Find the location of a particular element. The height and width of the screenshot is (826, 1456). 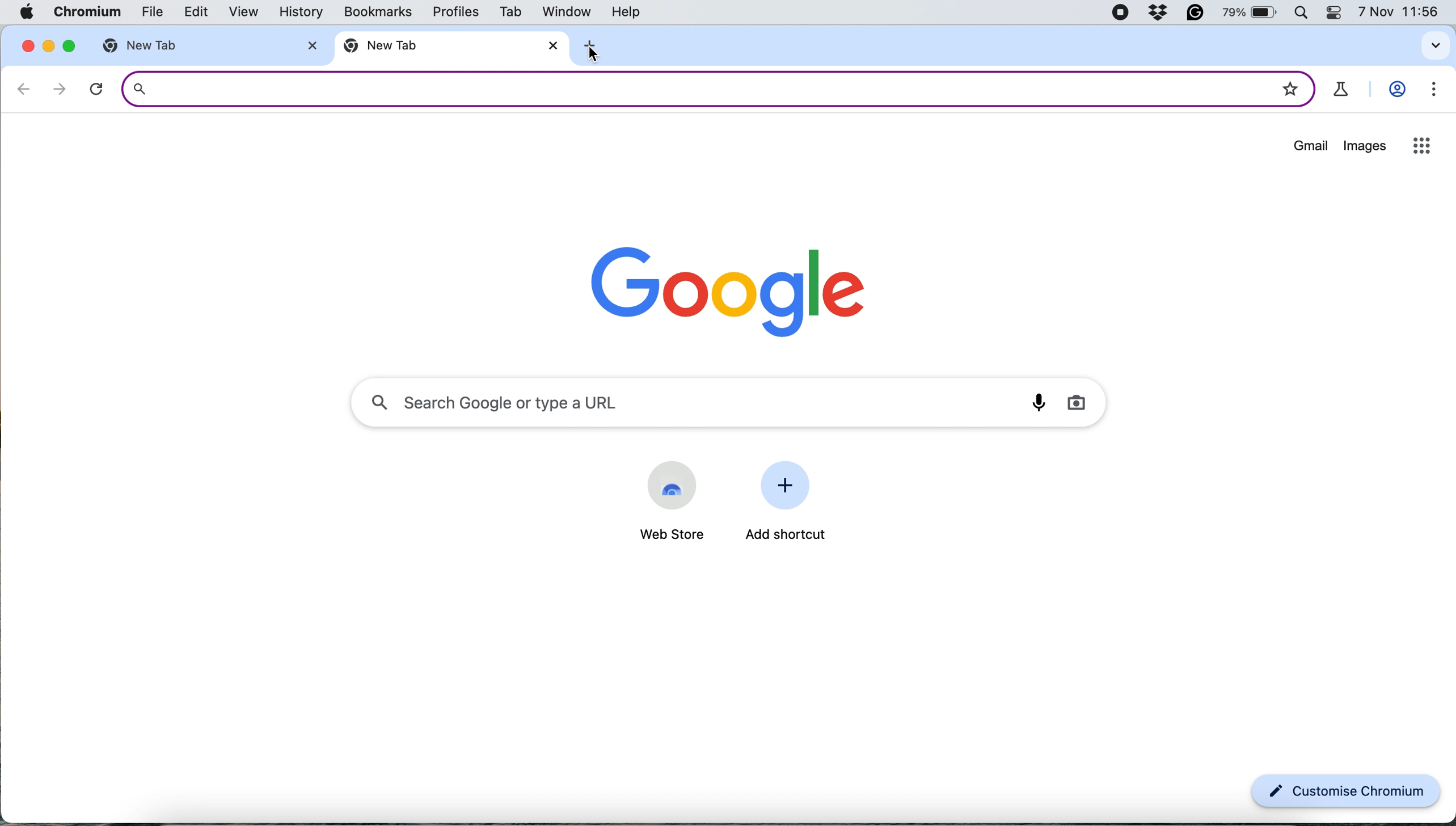

screen recorder is located at coordinates (1120, 14).